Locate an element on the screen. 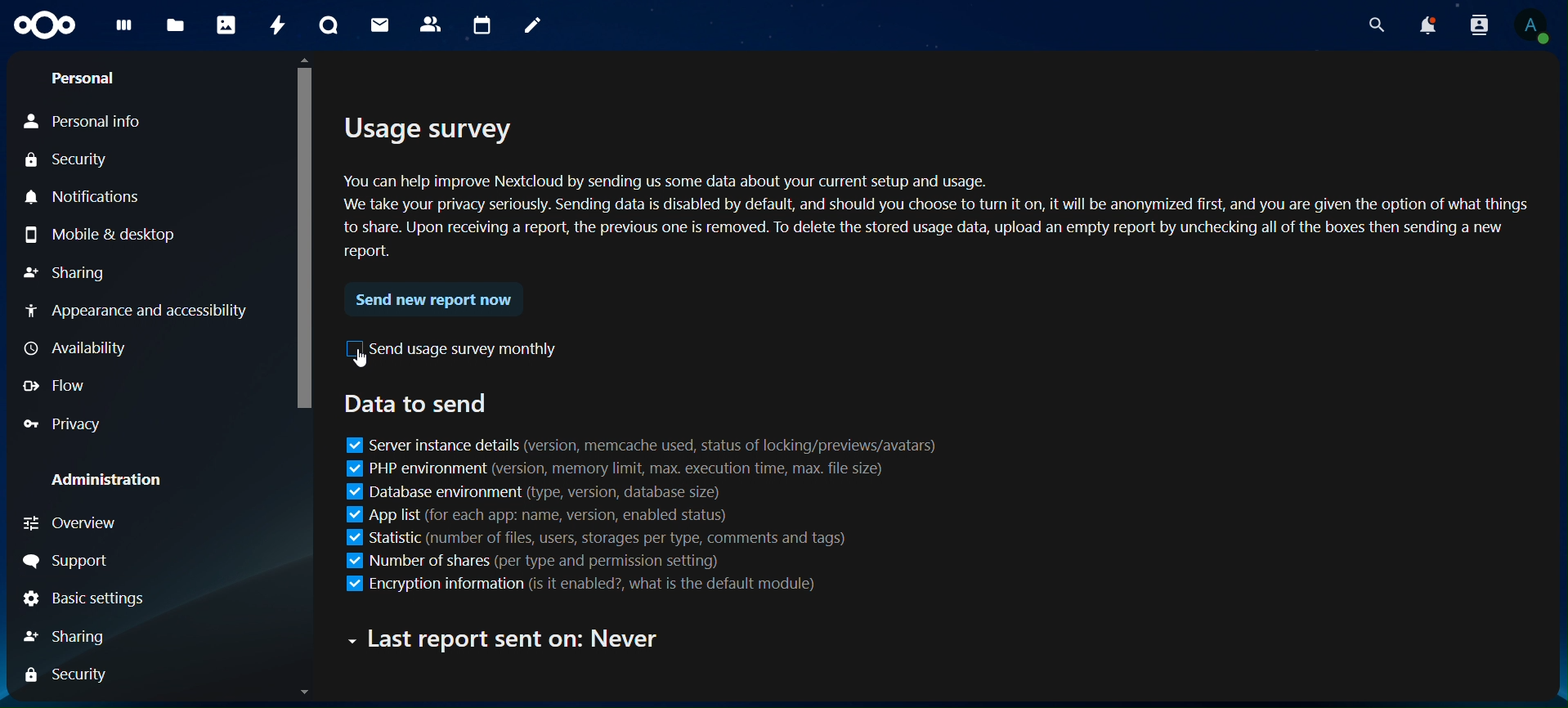  View Profile is located at coordinates (1533, 26).